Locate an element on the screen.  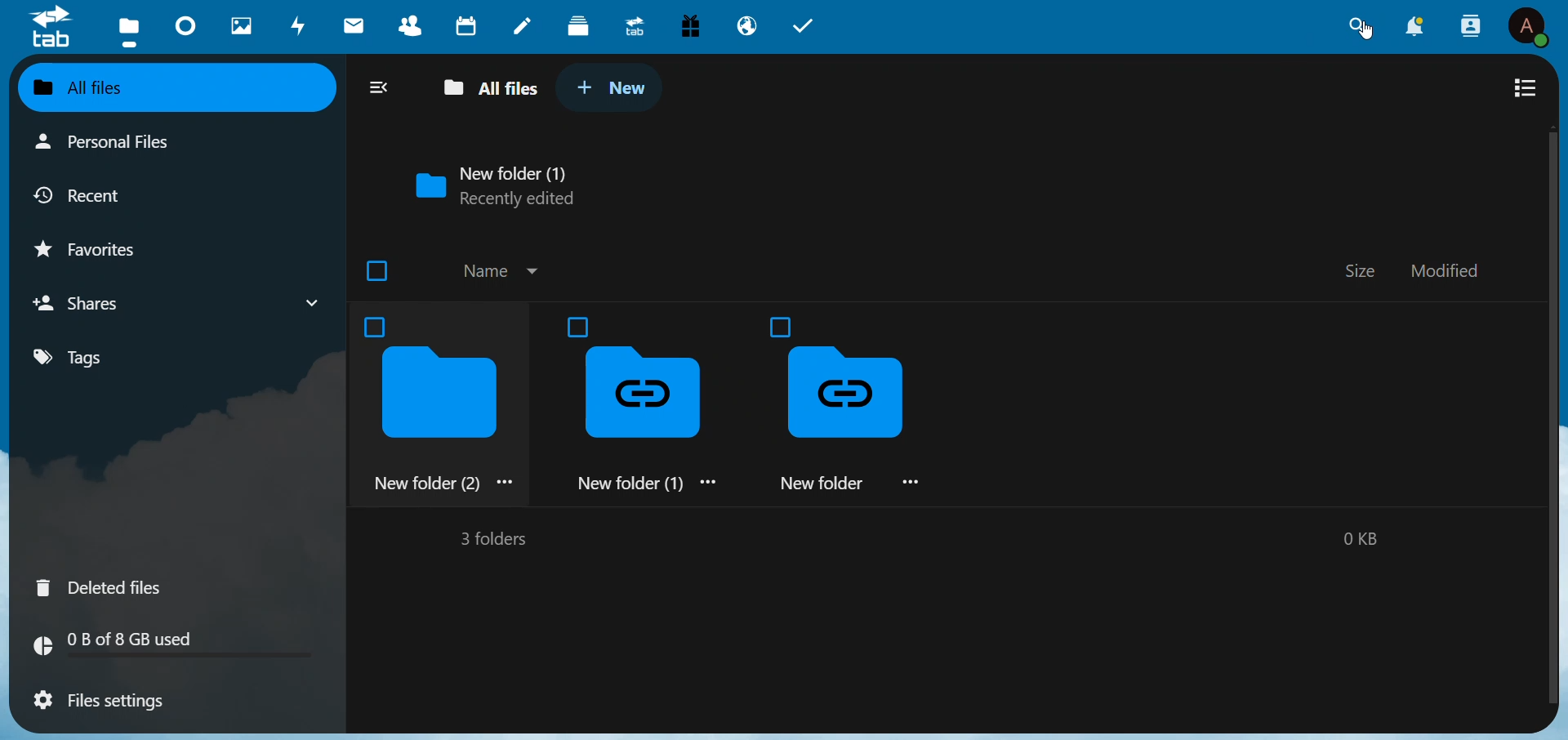
files is located at coordinates (127, 30).